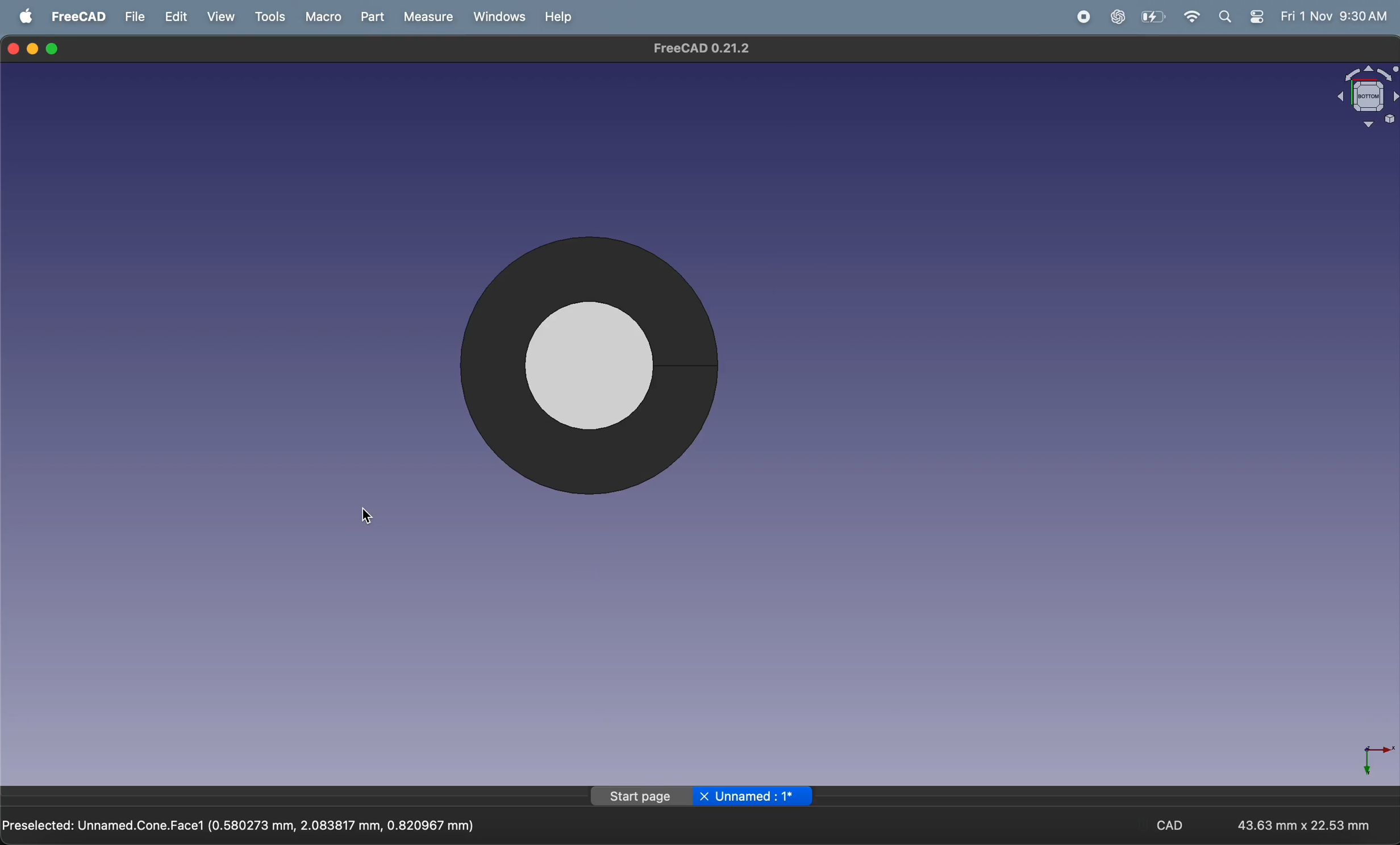 The image size is (1400, 845). What do you see at coordinates (79, 16) in the screenshot?
I see `FreeCAD` at bounding box center [79, 16].